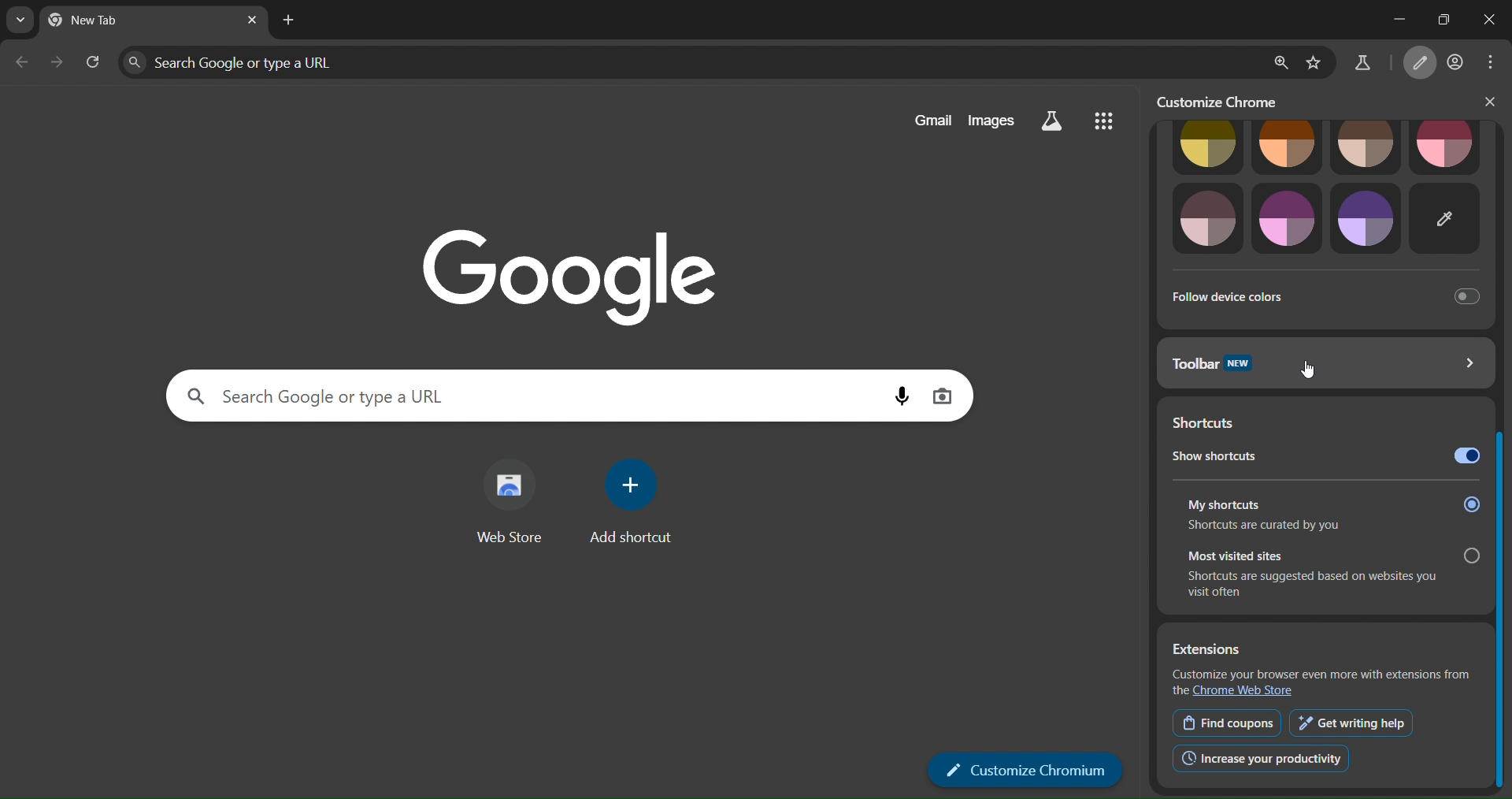 The width and height of the screenshot is (1512, 799). I want to click on web store, so click(513, 504).